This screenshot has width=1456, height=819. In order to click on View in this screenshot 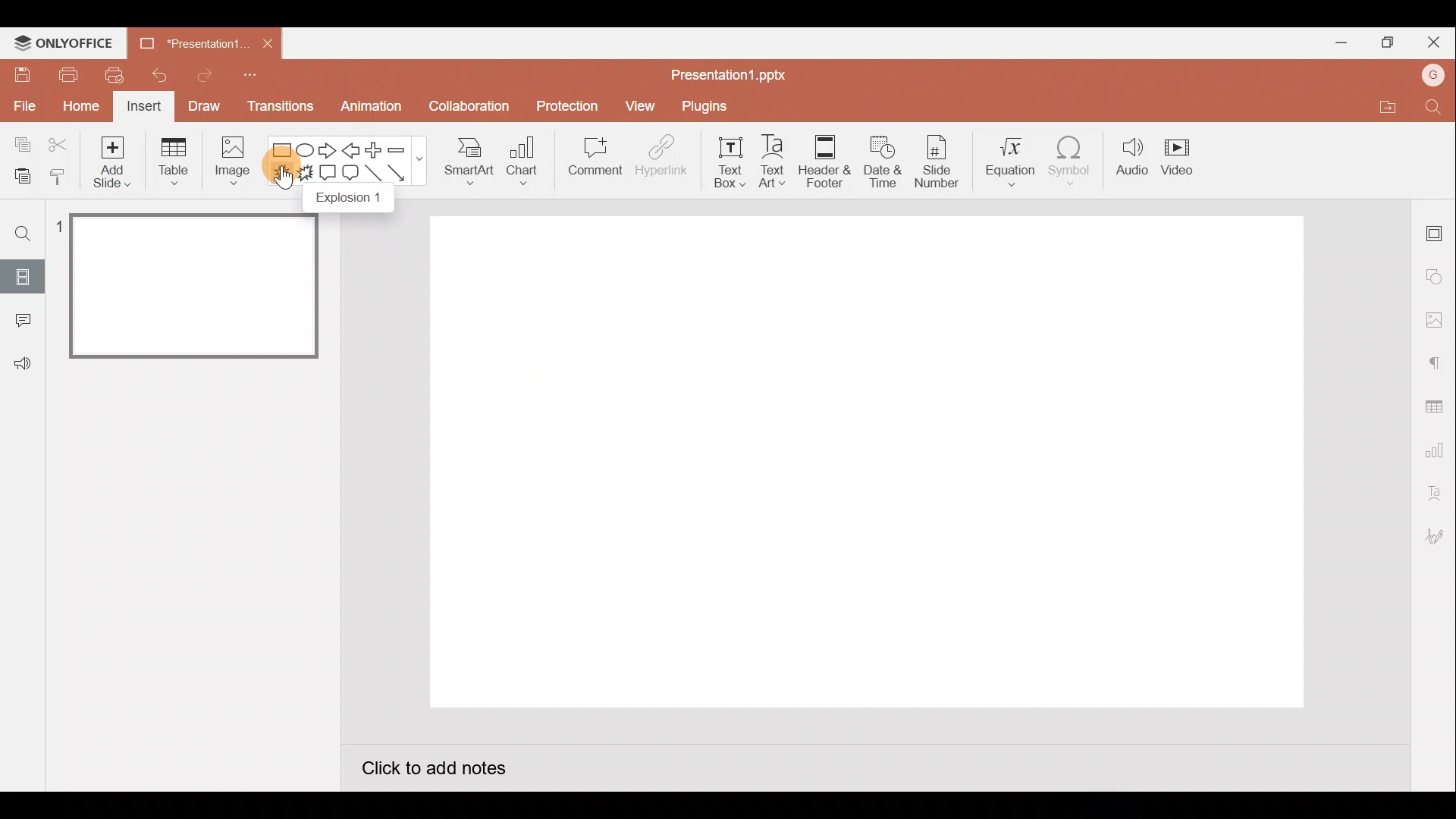, I will do `click(639, 105)`.